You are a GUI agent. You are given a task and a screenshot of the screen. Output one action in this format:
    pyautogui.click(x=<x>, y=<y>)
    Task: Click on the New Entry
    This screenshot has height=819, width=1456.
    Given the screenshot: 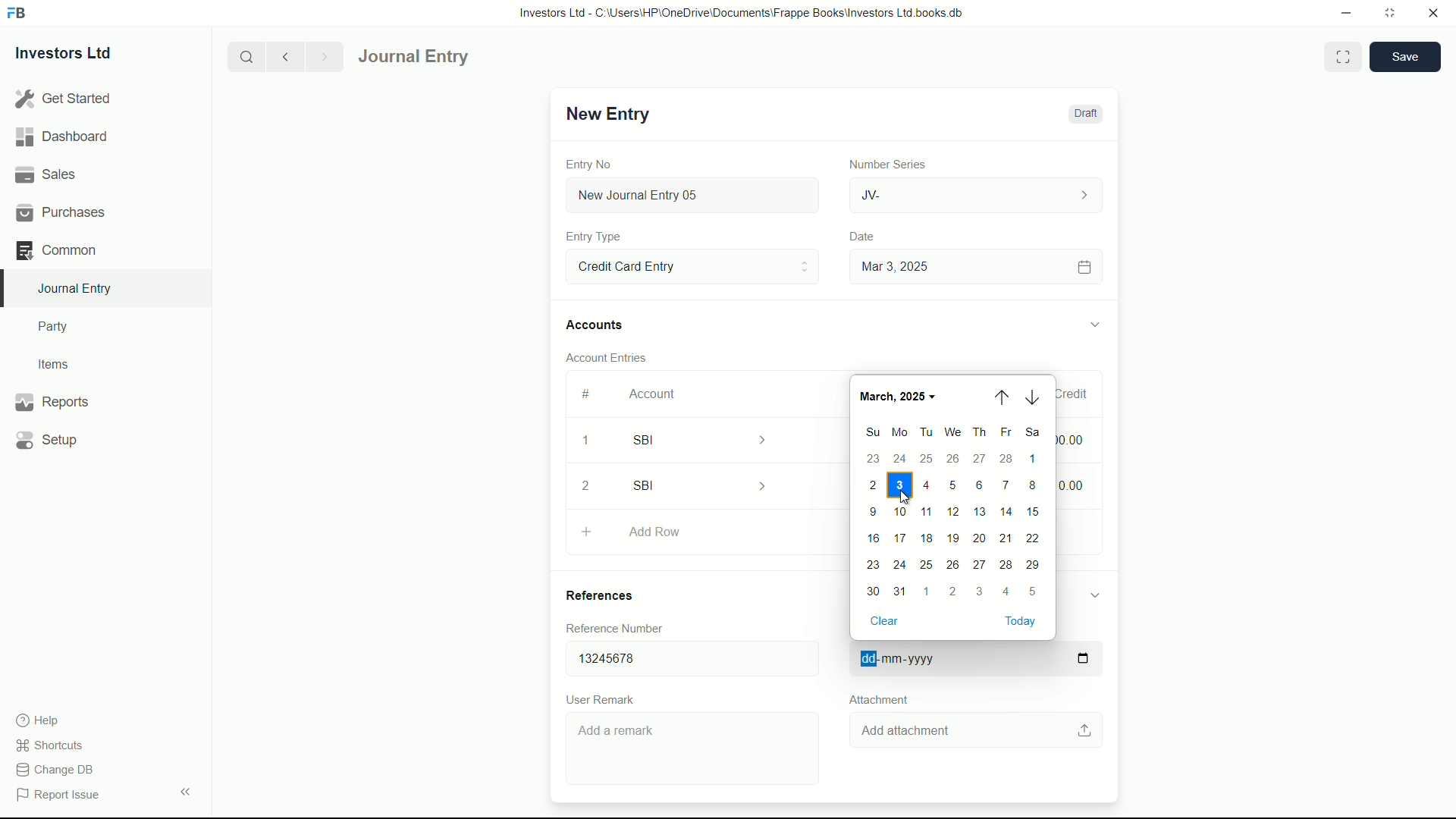 What is the action you would take?
    pyautogui.click(x=605, y=114)
    